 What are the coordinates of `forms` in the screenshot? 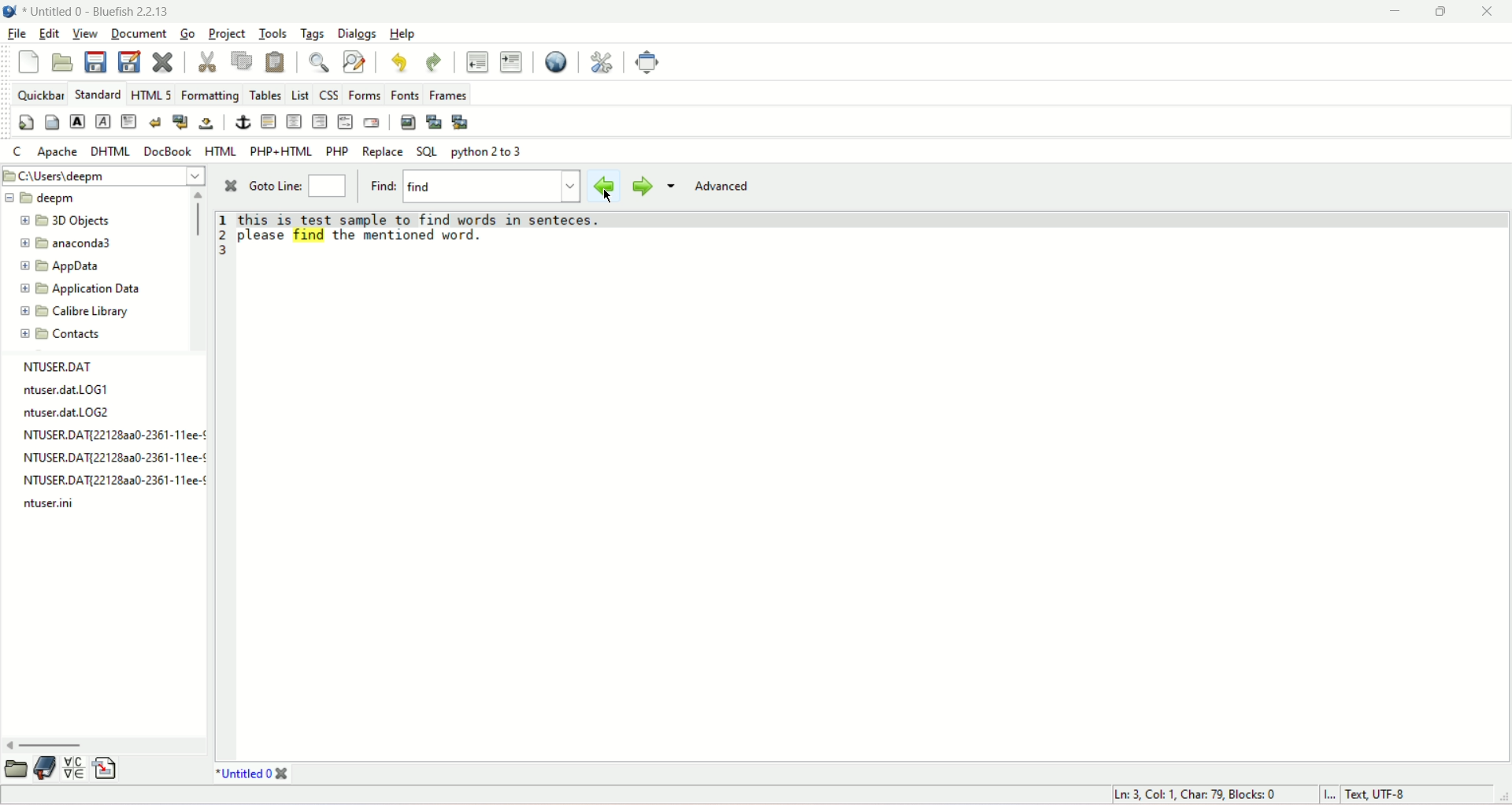 It's located at (365, 94).